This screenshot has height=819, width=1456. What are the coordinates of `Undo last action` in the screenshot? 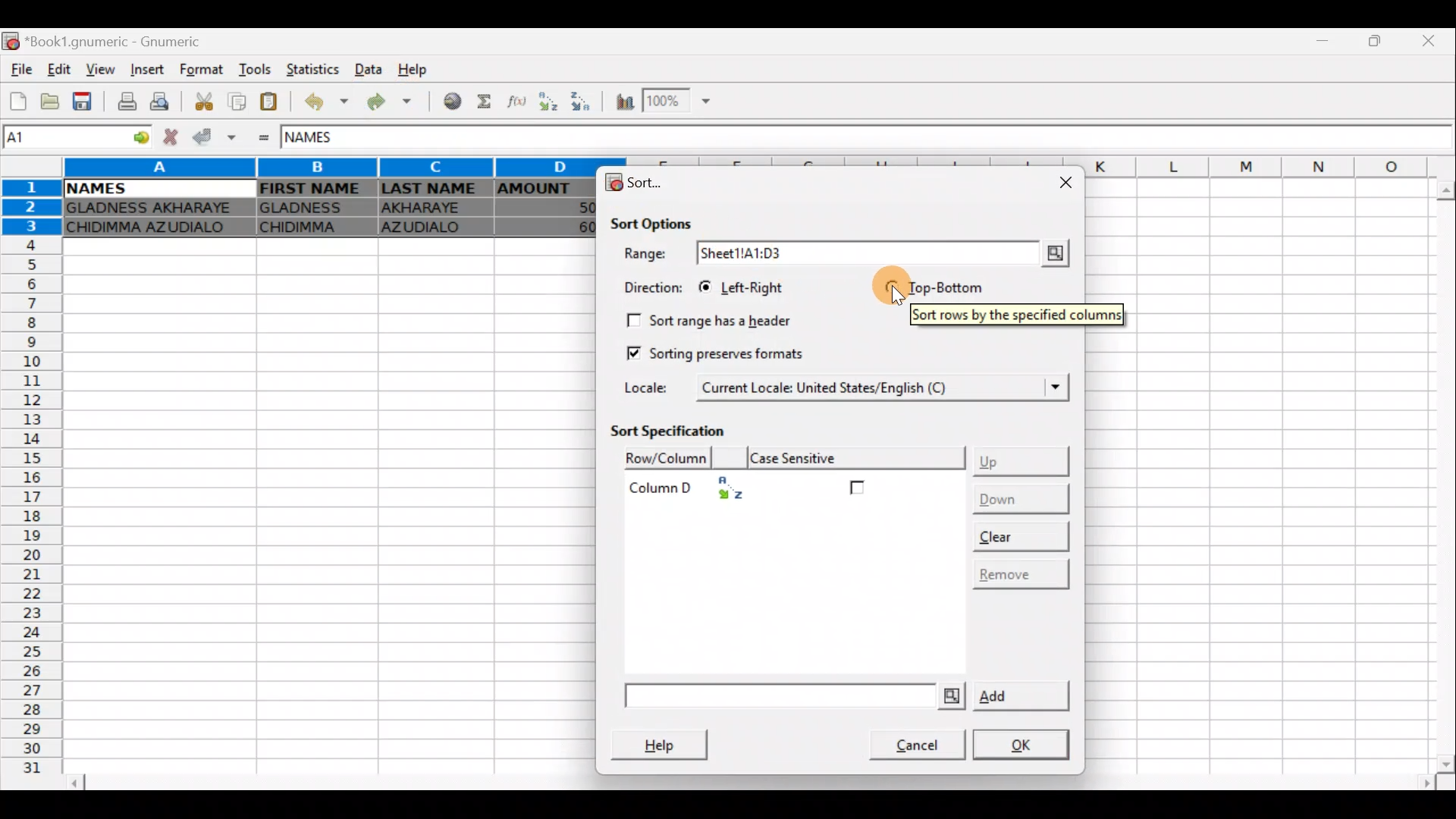 It's located at (328, 102).